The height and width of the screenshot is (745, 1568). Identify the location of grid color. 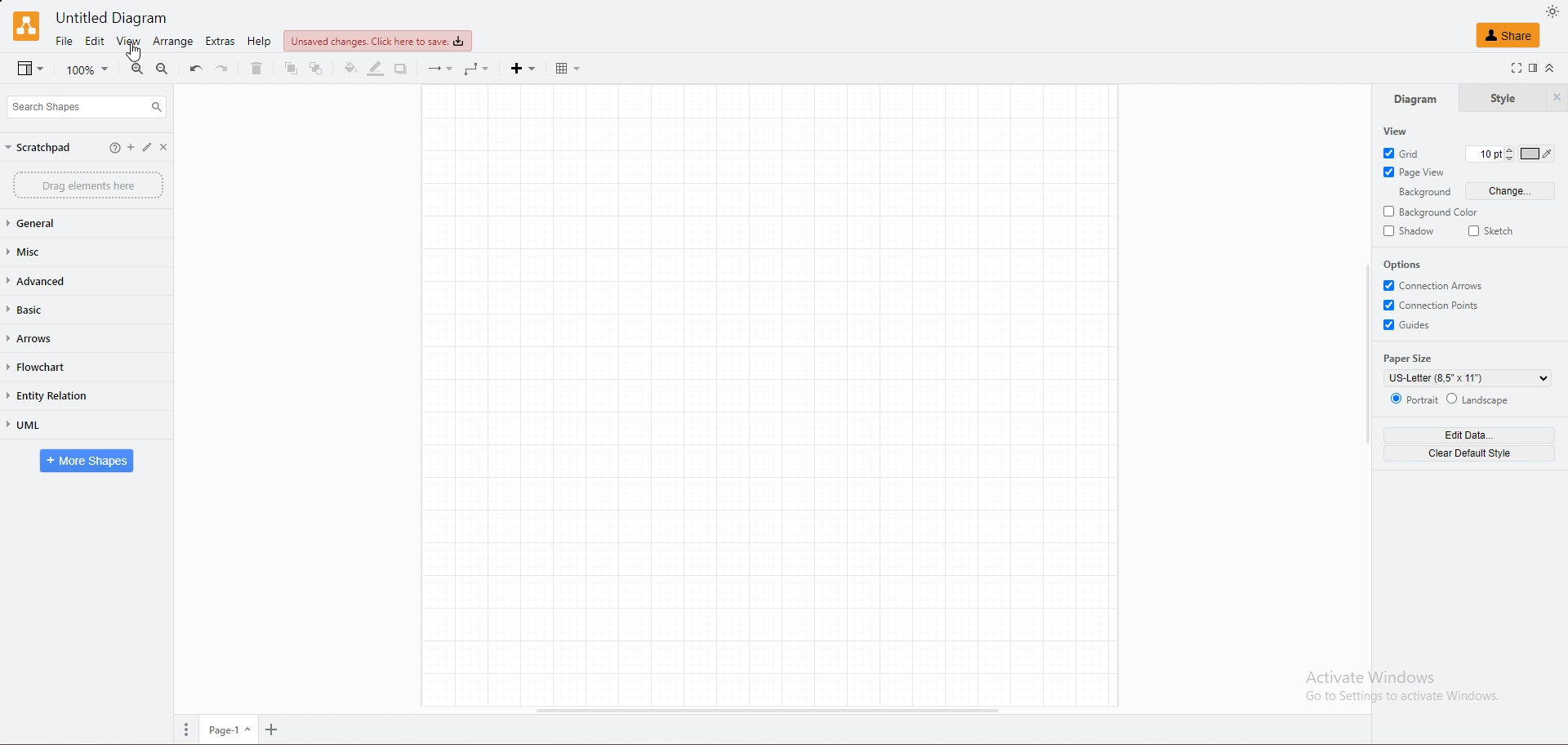
(1538, 154).